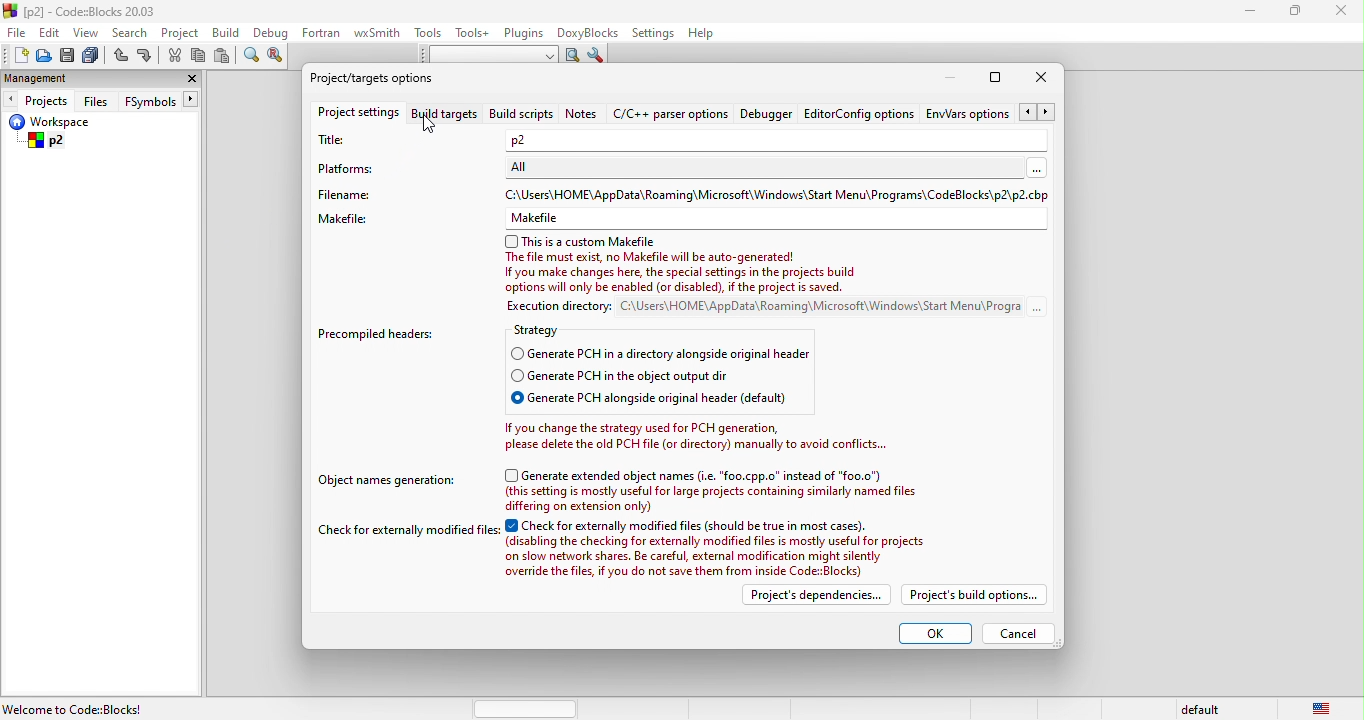 Image resolution: width=1364 pixels, height=720 pixels. I want to click on management, so click(51, 78).